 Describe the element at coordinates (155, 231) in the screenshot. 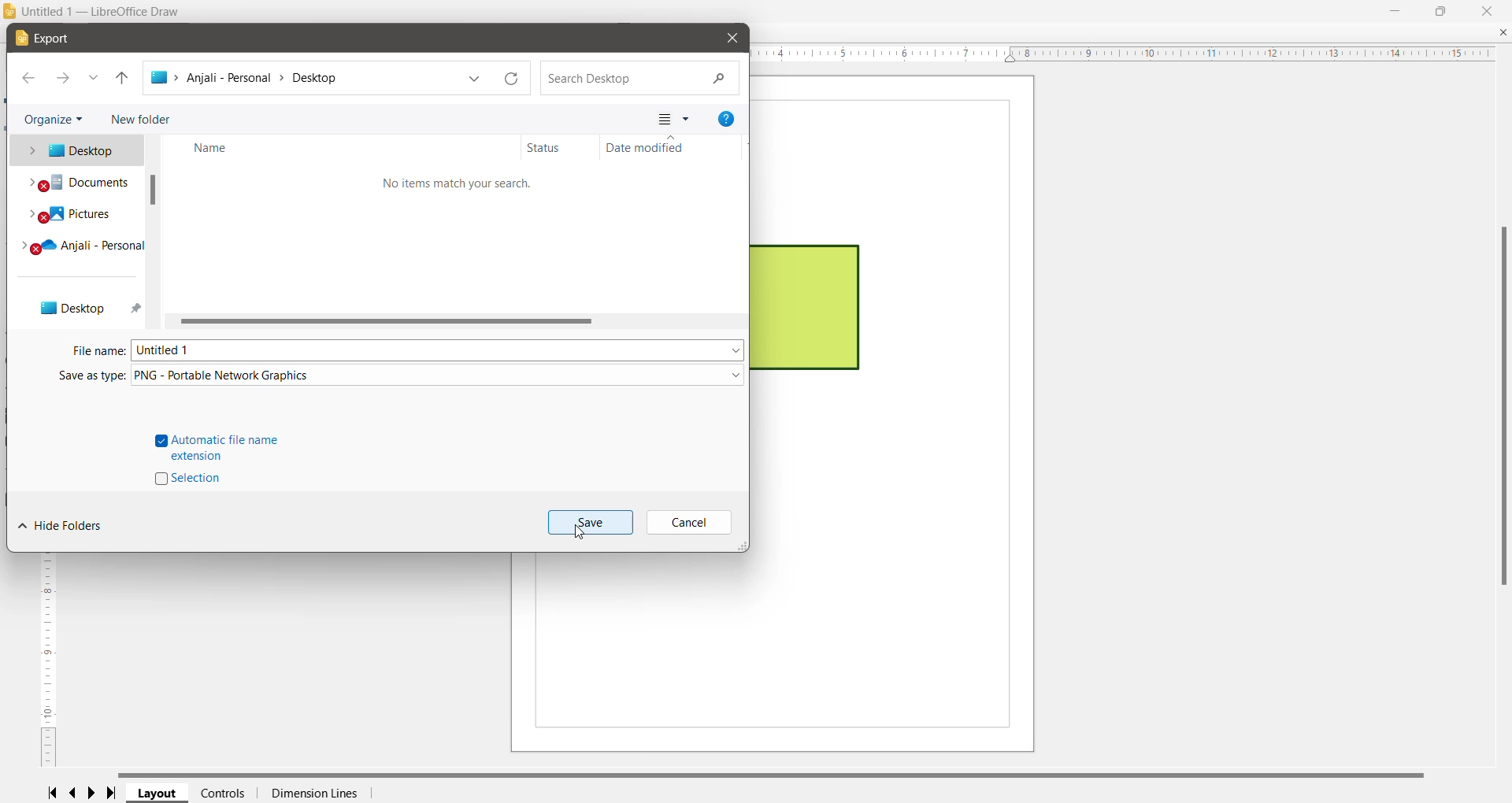

I see `Vertical Scroll Bar` at that location.